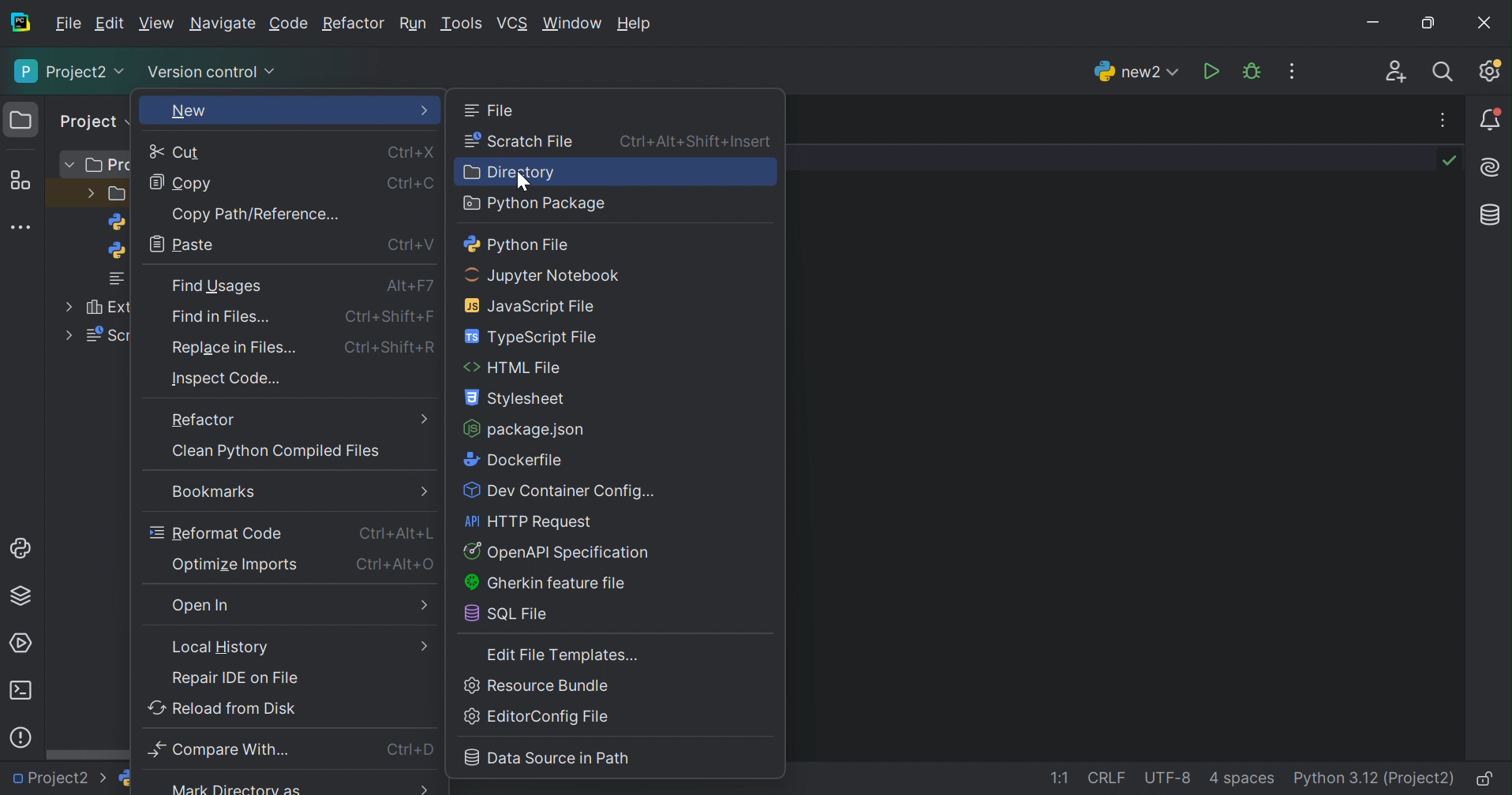 Image resolution: width=1512 pixels, height=795 pixels. I want to click on HTTP request, so click(527, 521).